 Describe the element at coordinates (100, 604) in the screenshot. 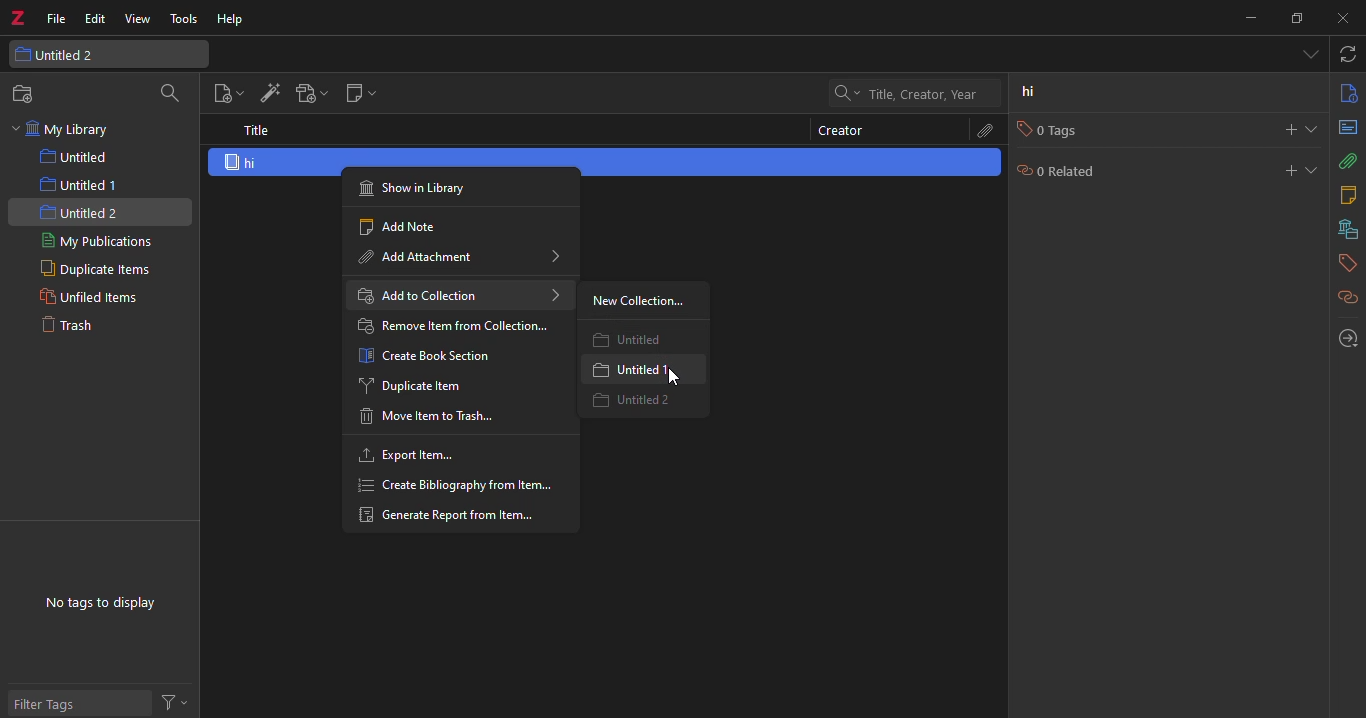

I see `no tags to display` at that location.